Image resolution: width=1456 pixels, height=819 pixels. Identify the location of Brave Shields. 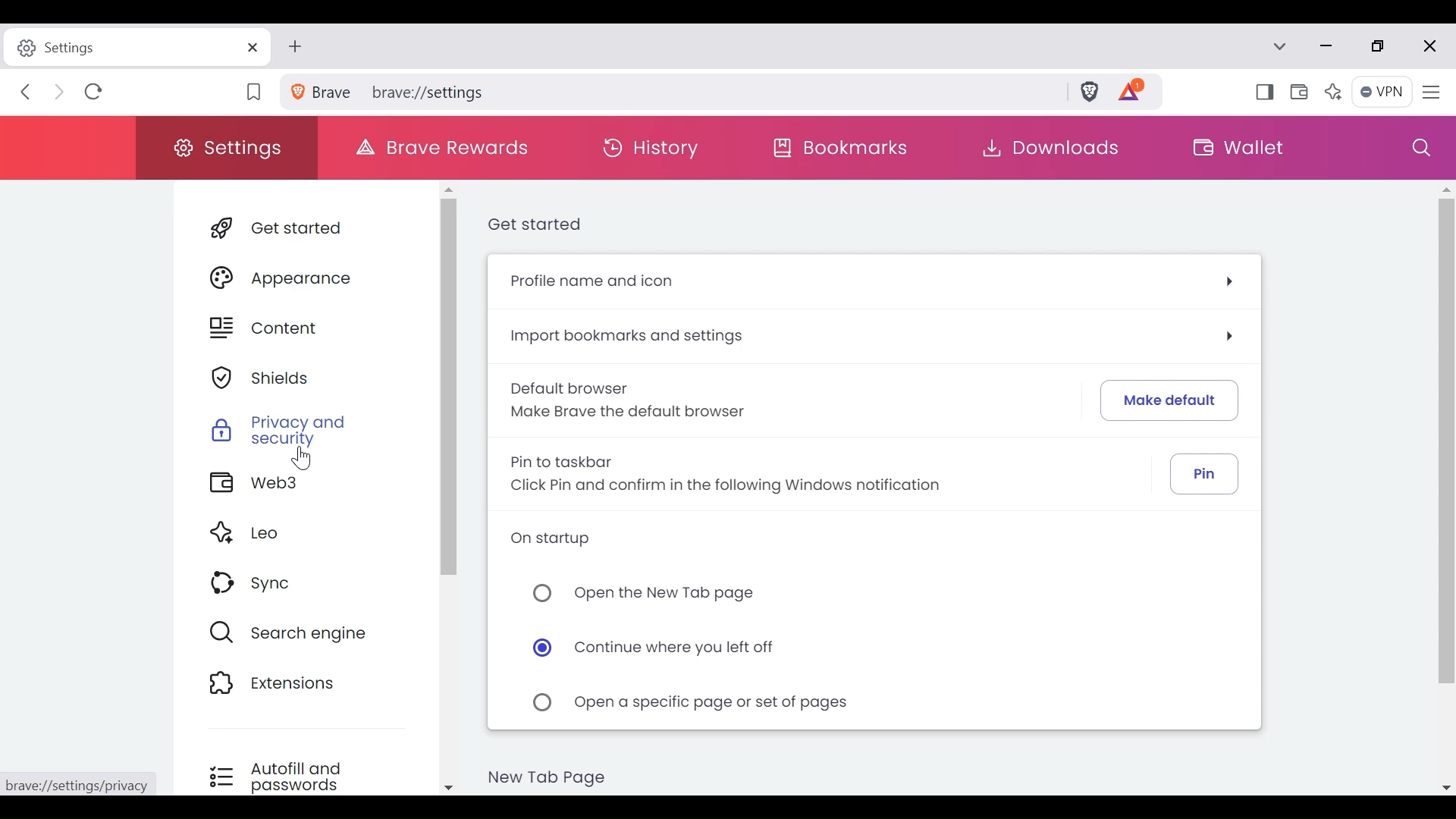
(1094, 93).